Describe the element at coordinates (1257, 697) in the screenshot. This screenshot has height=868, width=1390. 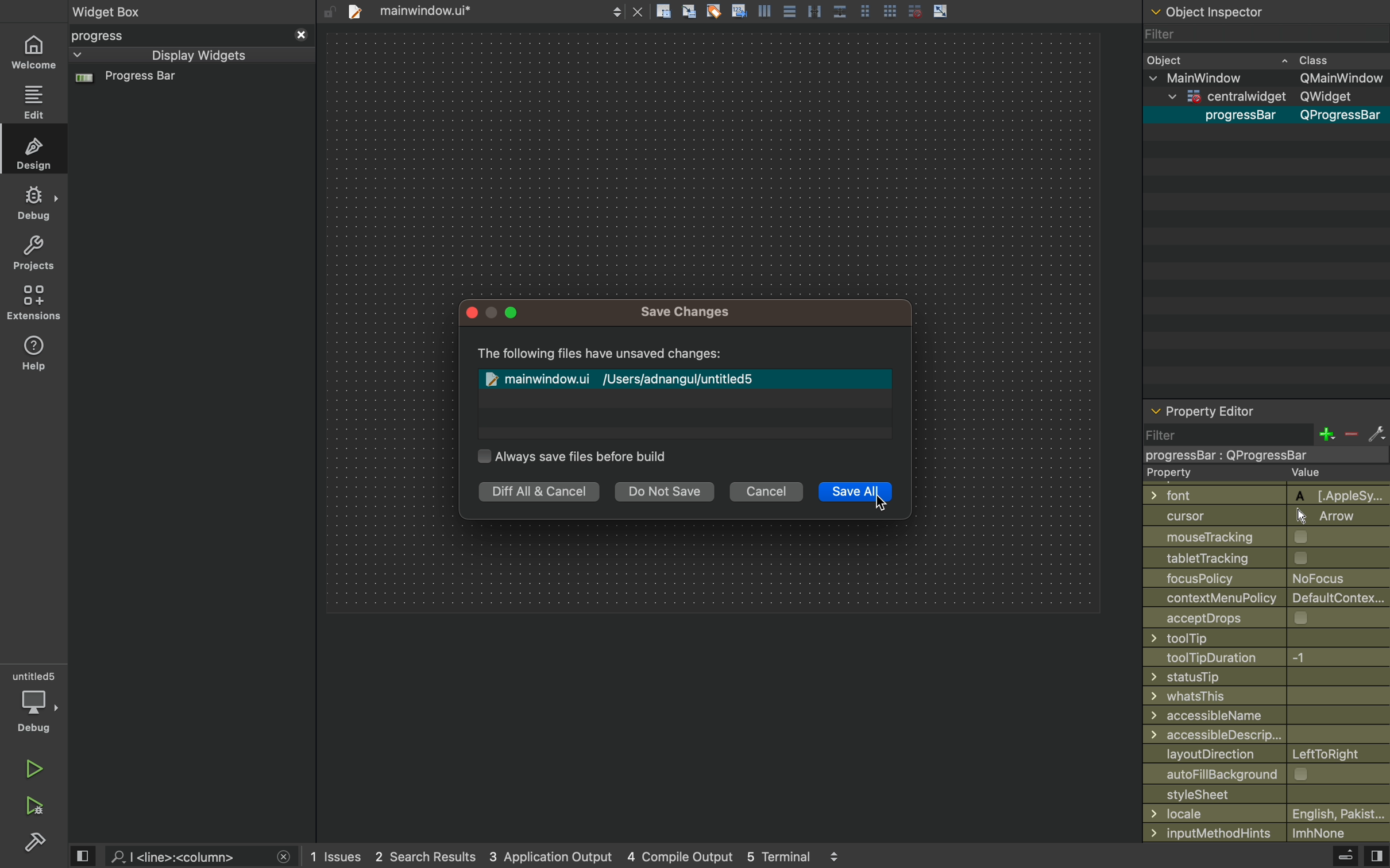
I see `whatisthis` at that location.